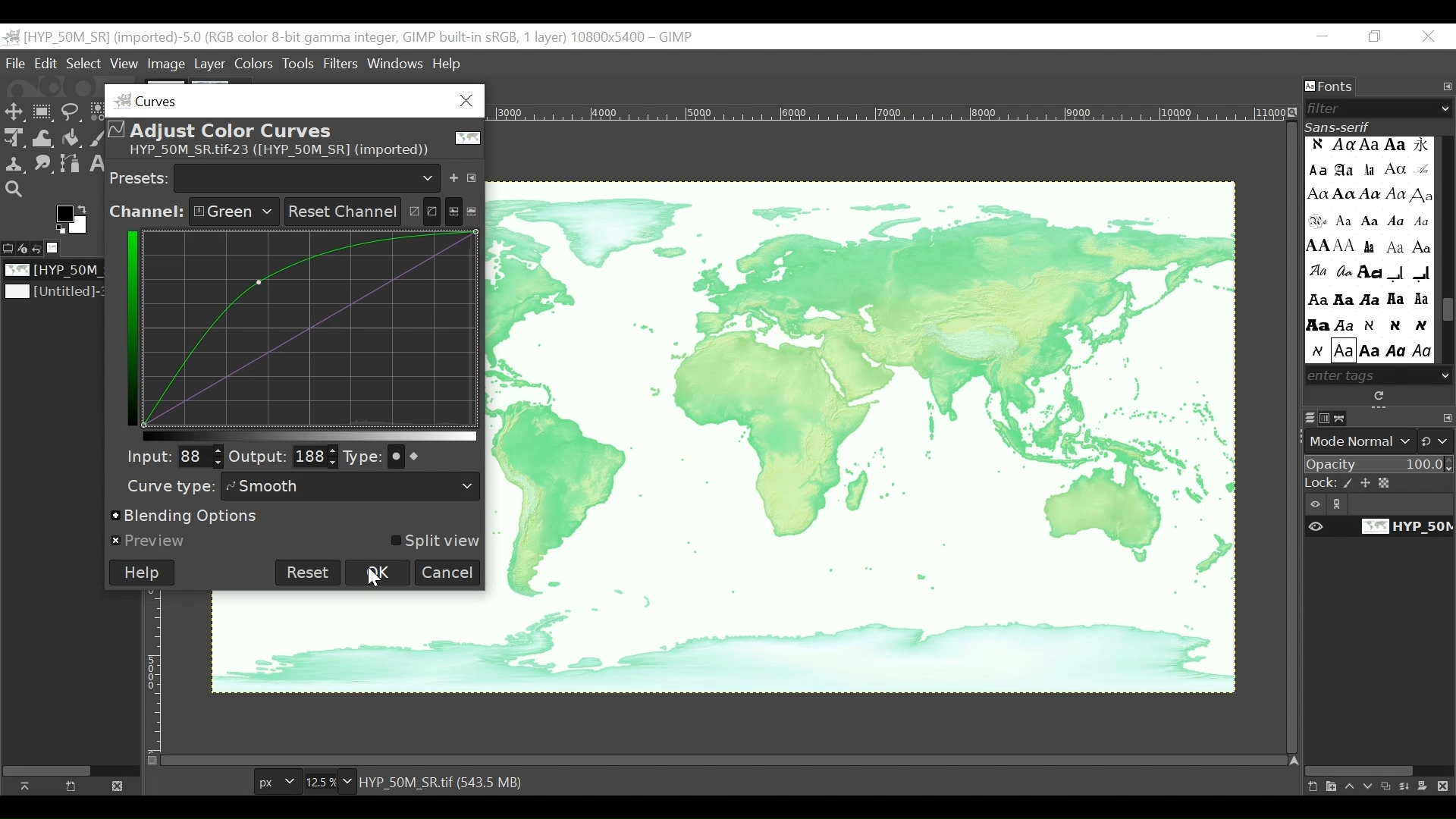 The height and width of the screenshot is (819, 1456). Describe the element at coordinates (124, 64) in the screenshot. I see `View` at that location.